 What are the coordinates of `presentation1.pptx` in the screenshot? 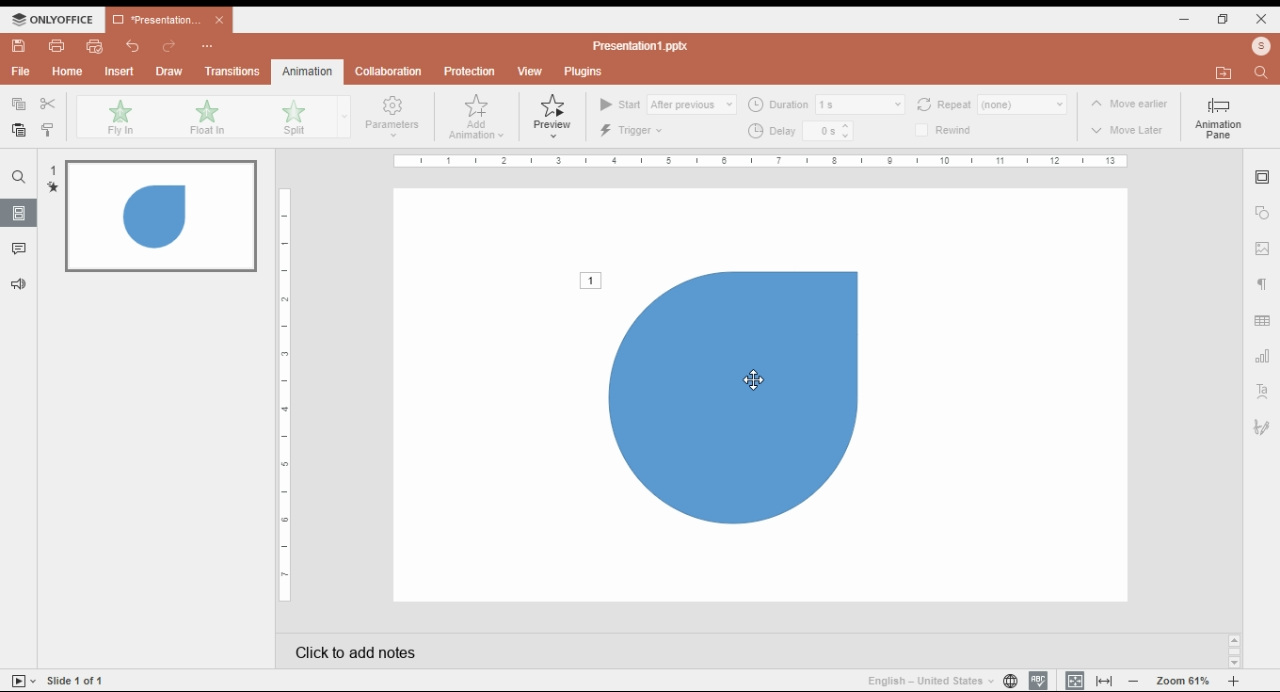 It's located at (645, 46).